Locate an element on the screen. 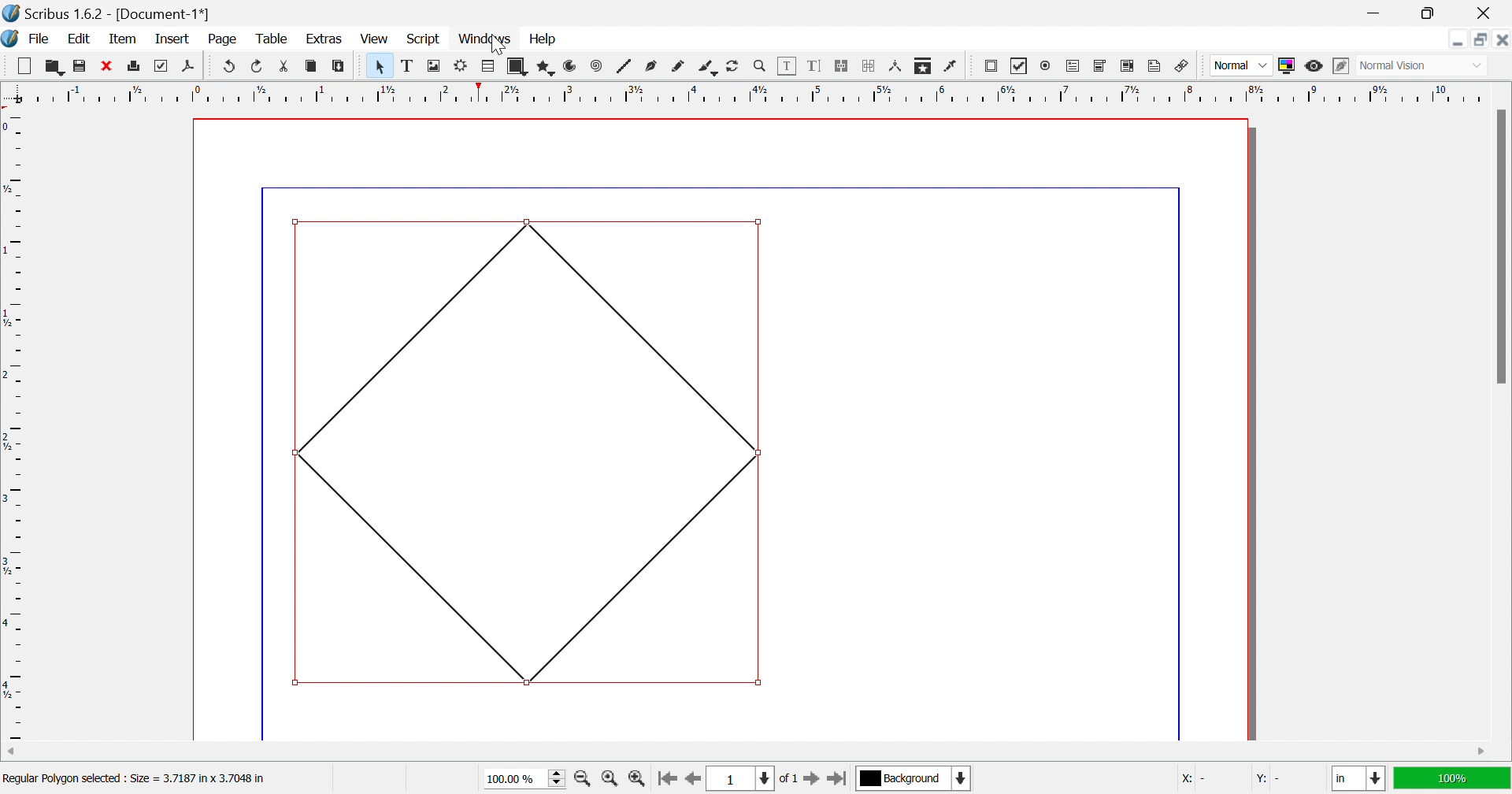  Go to the first page is located at coordinates (666, 783).